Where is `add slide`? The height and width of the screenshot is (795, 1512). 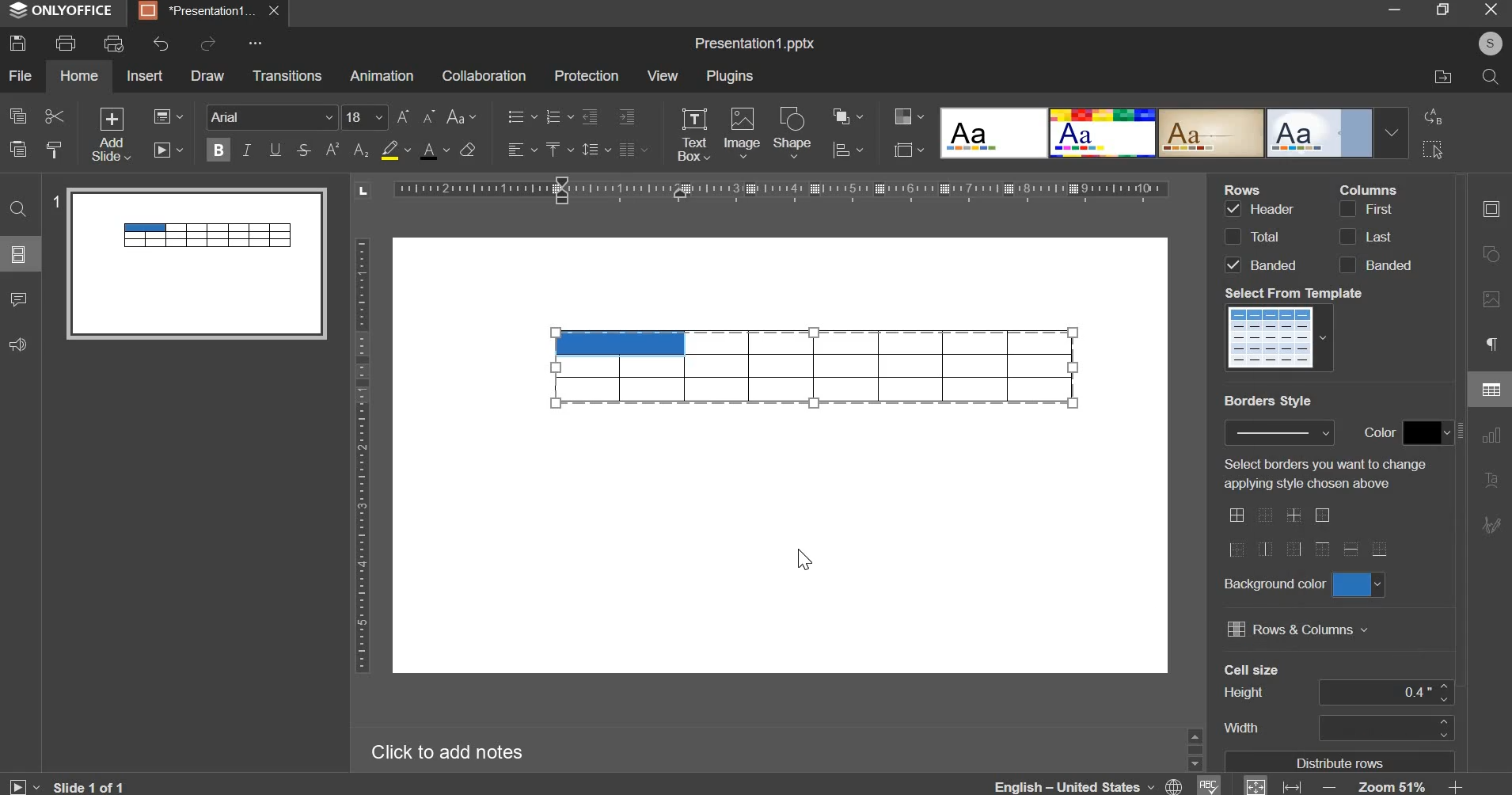 add slide is located at coordinates (112, 135).